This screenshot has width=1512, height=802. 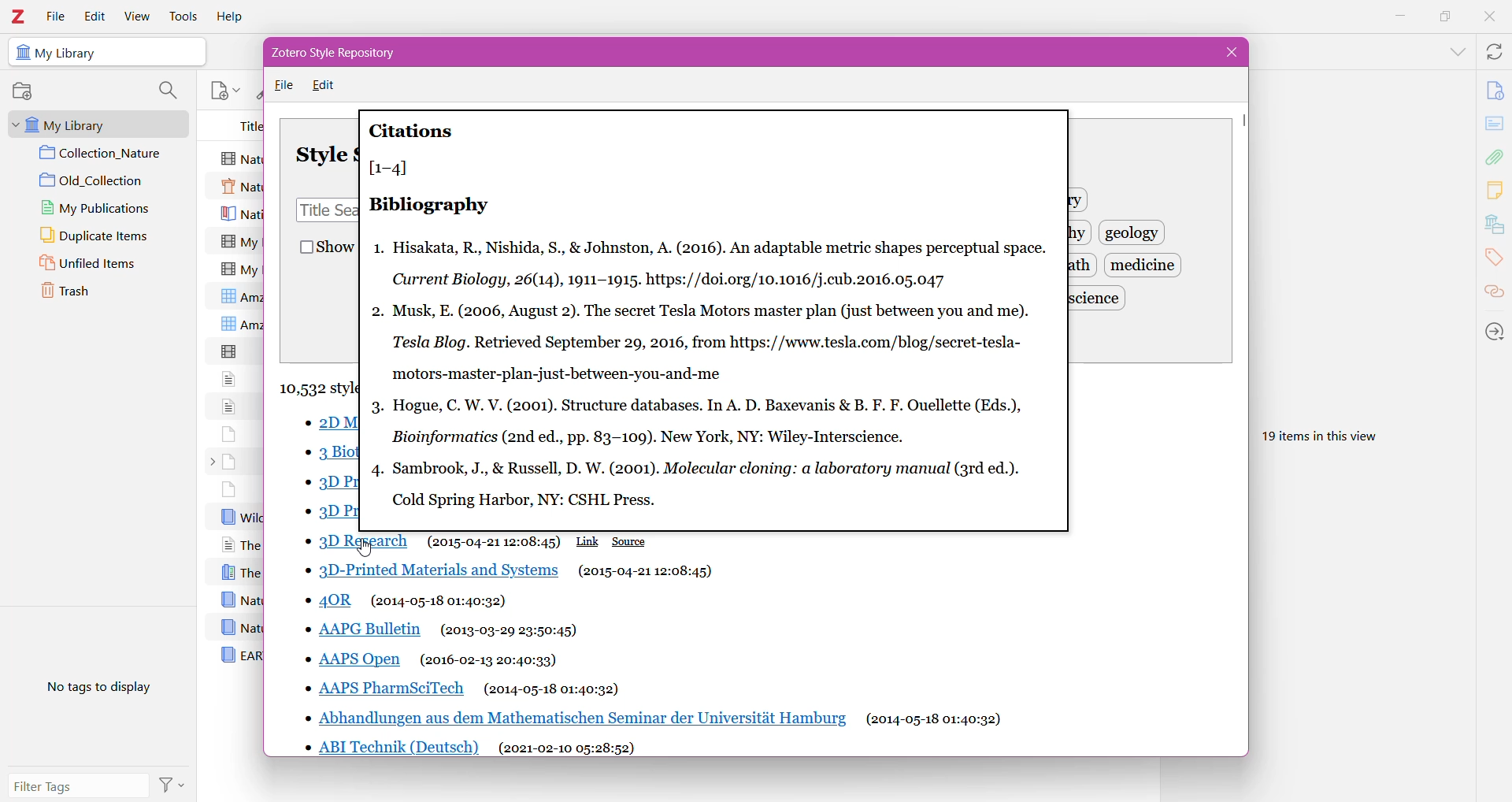 What do you see at coordinates (566, 747) in the screenshot?
I see `(2021-02-10 05:28:52)` at bounding box center [566, 747].